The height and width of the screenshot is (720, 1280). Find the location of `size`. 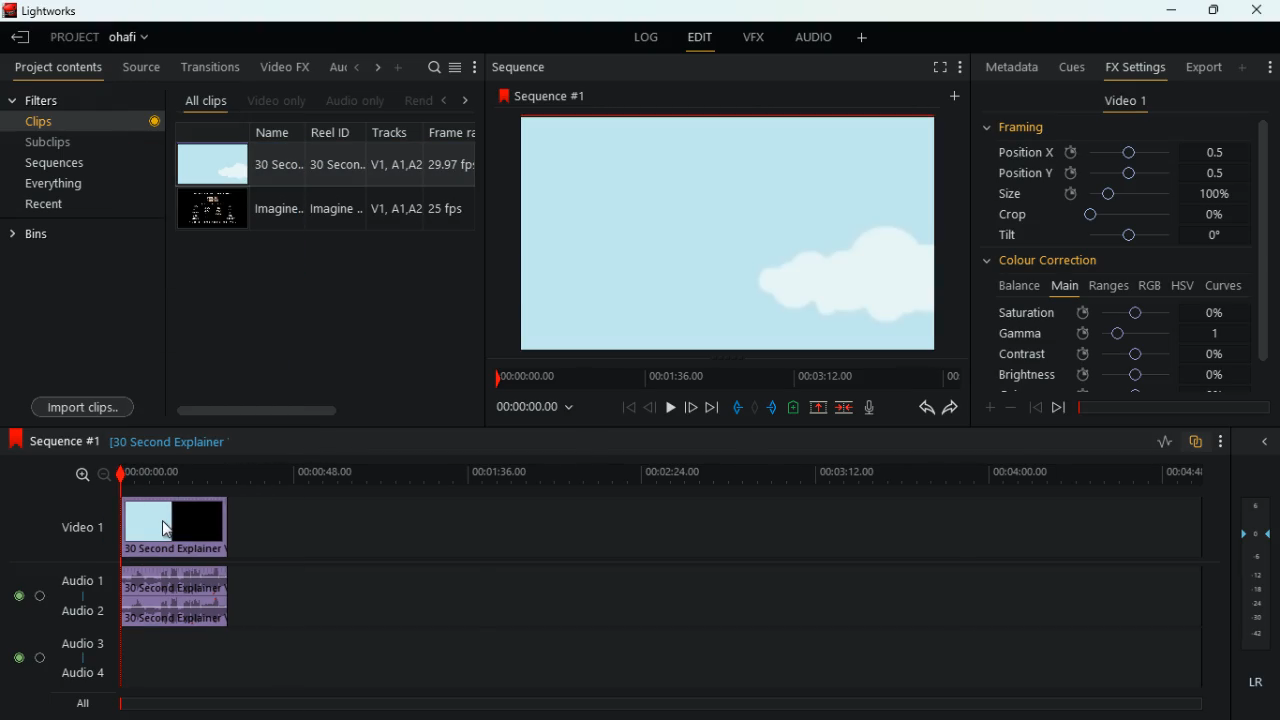

size is located at coordinates (1114, 195).